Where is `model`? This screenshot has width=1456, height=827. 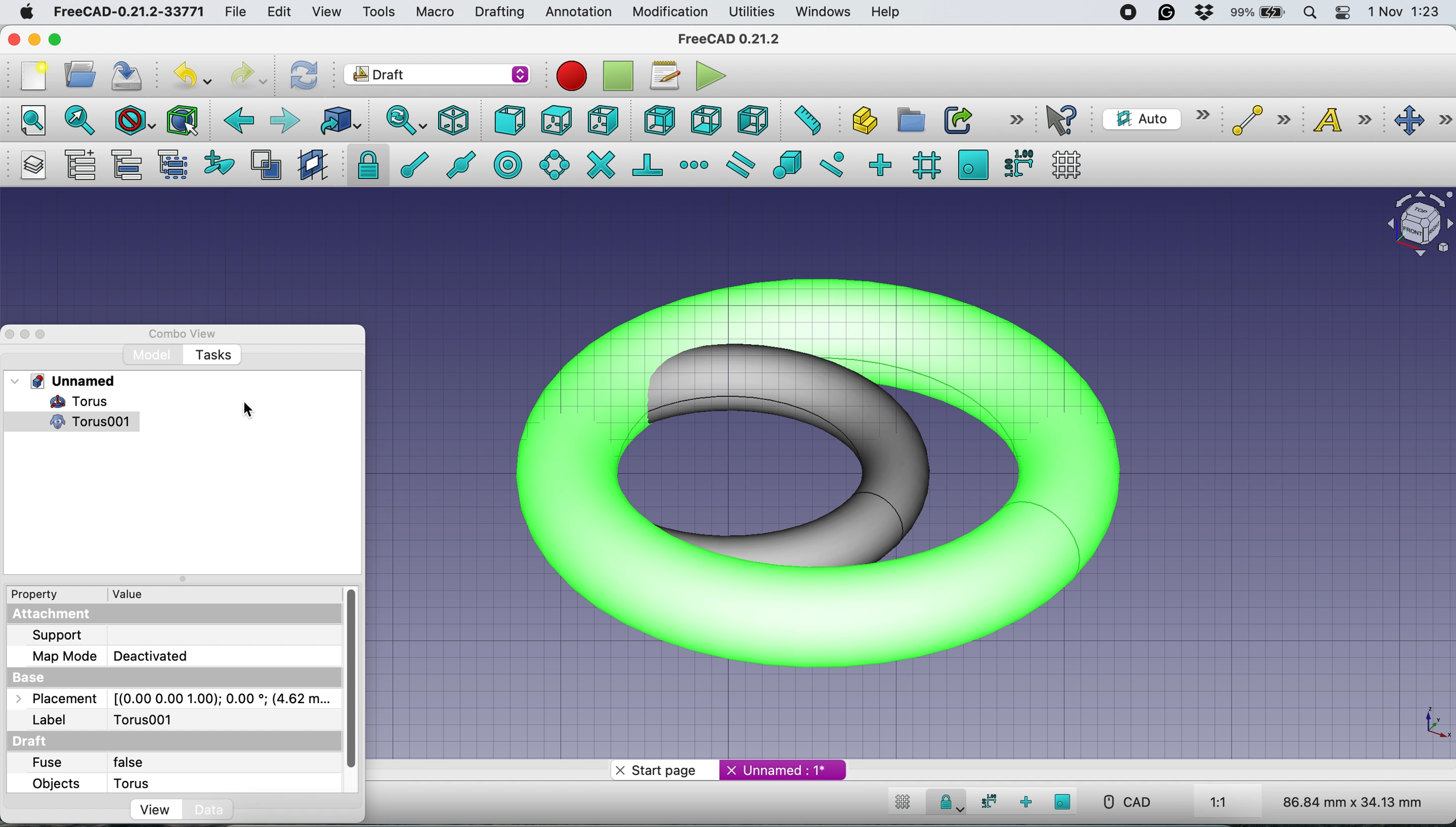 model is located at coordinates (151, 354).